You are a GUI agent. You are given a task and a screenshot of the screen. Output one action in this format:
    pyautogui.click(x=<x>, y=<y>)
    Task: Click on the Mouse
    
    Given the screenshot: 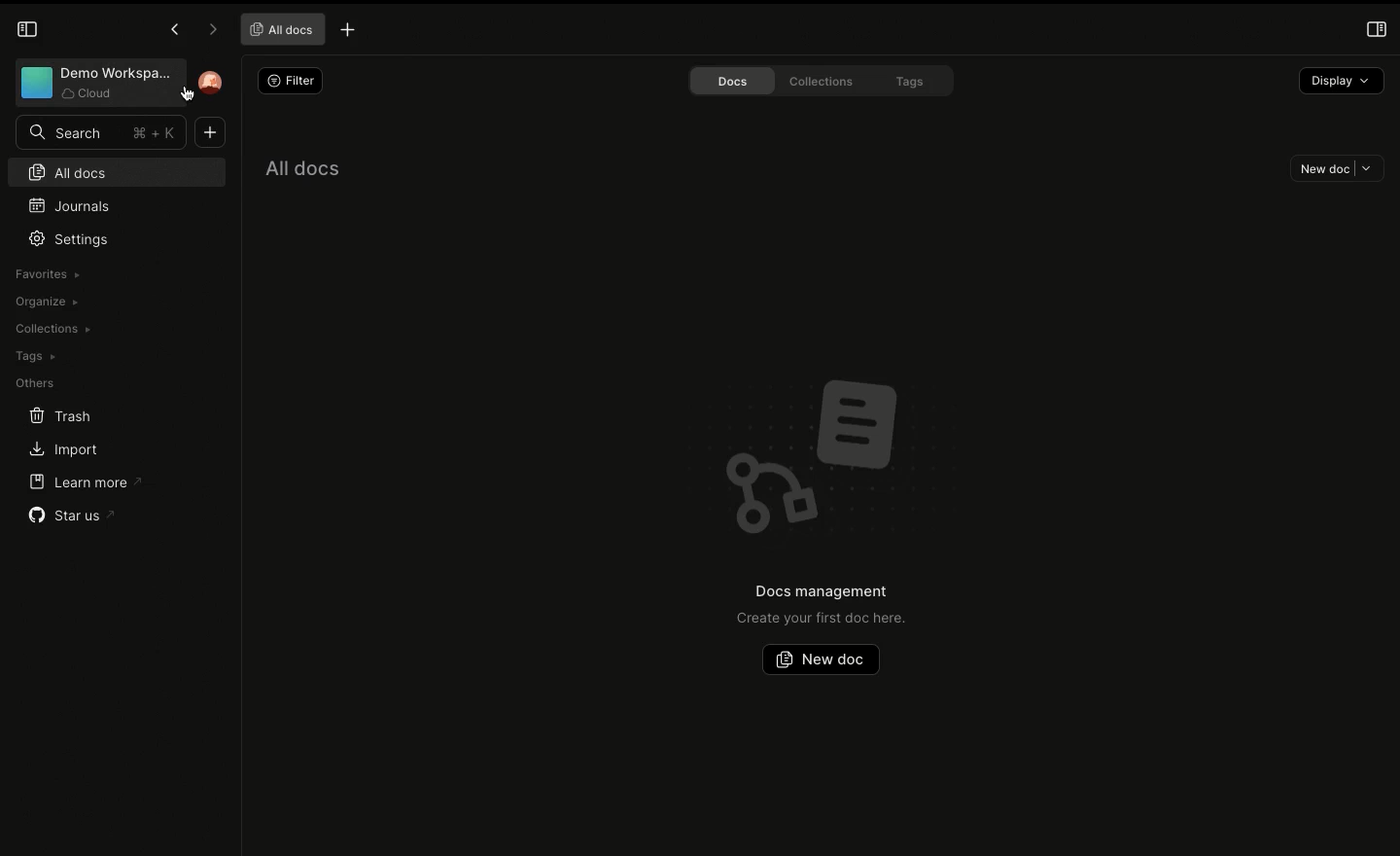 What is the action you would take?
    pyautogui.click(x=192, y=98)
    